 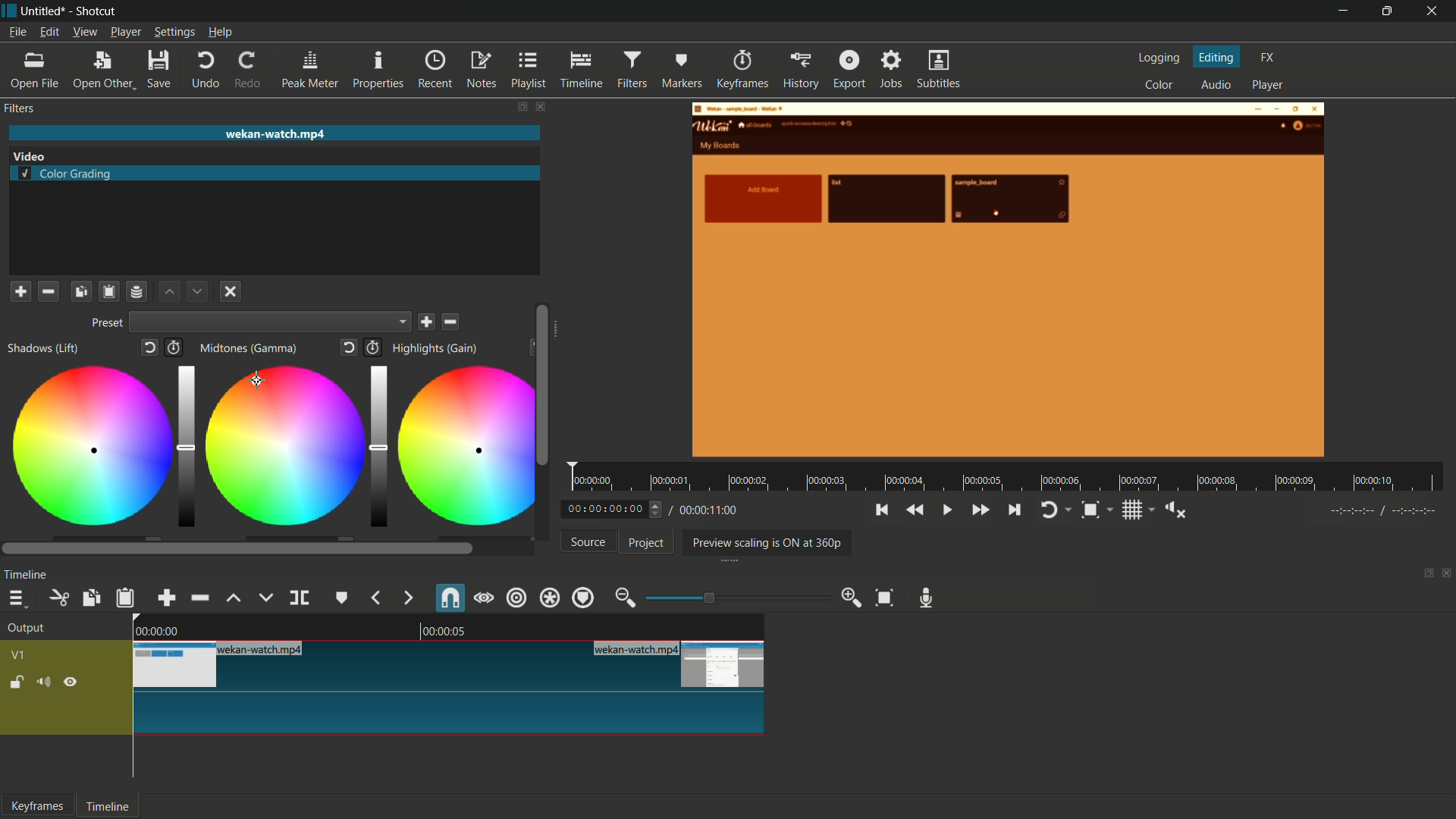 I want to click on help menu, so click(x=221, y=33).